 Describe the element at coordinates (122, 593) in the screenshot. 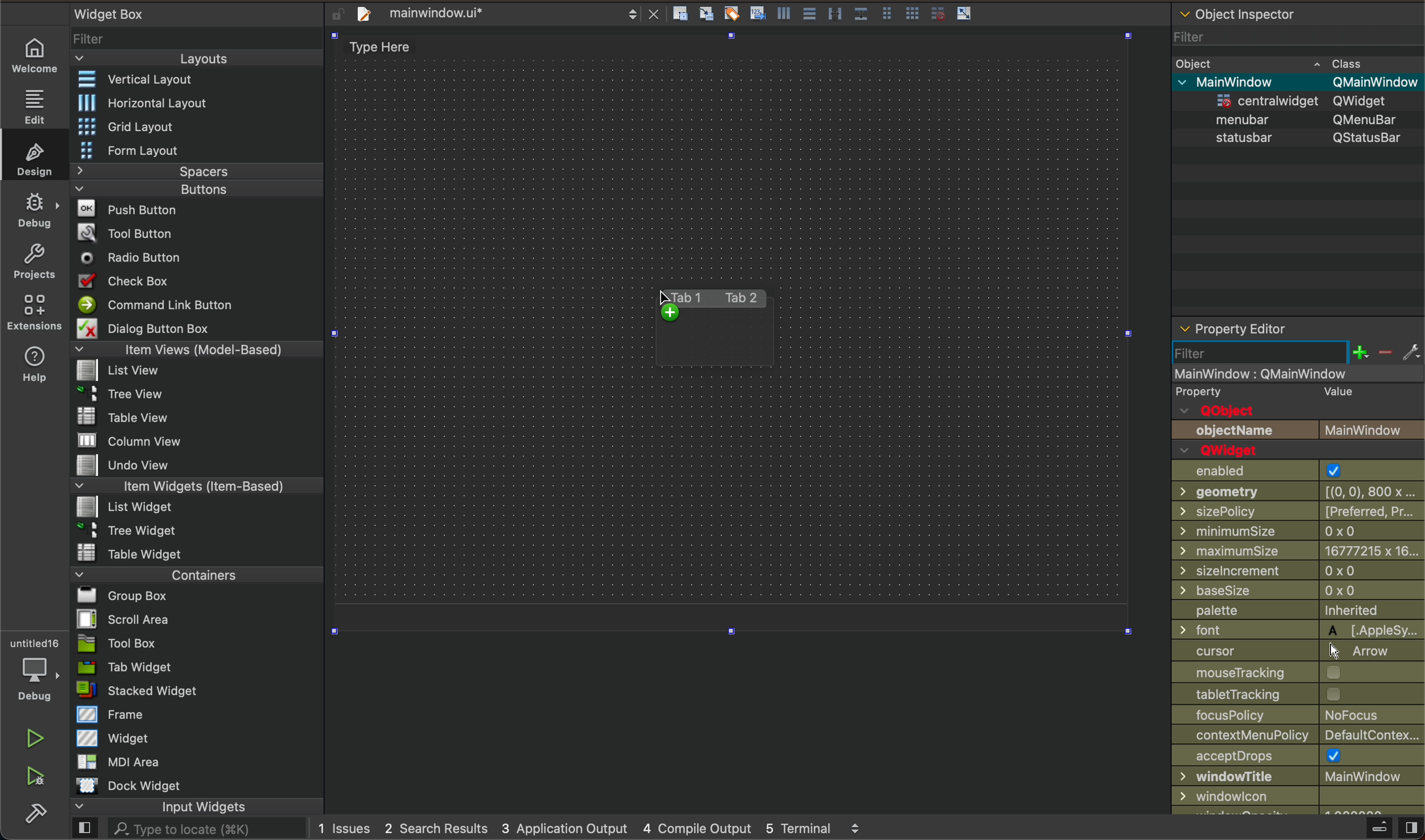

I see `Bl Group Box` at that location.